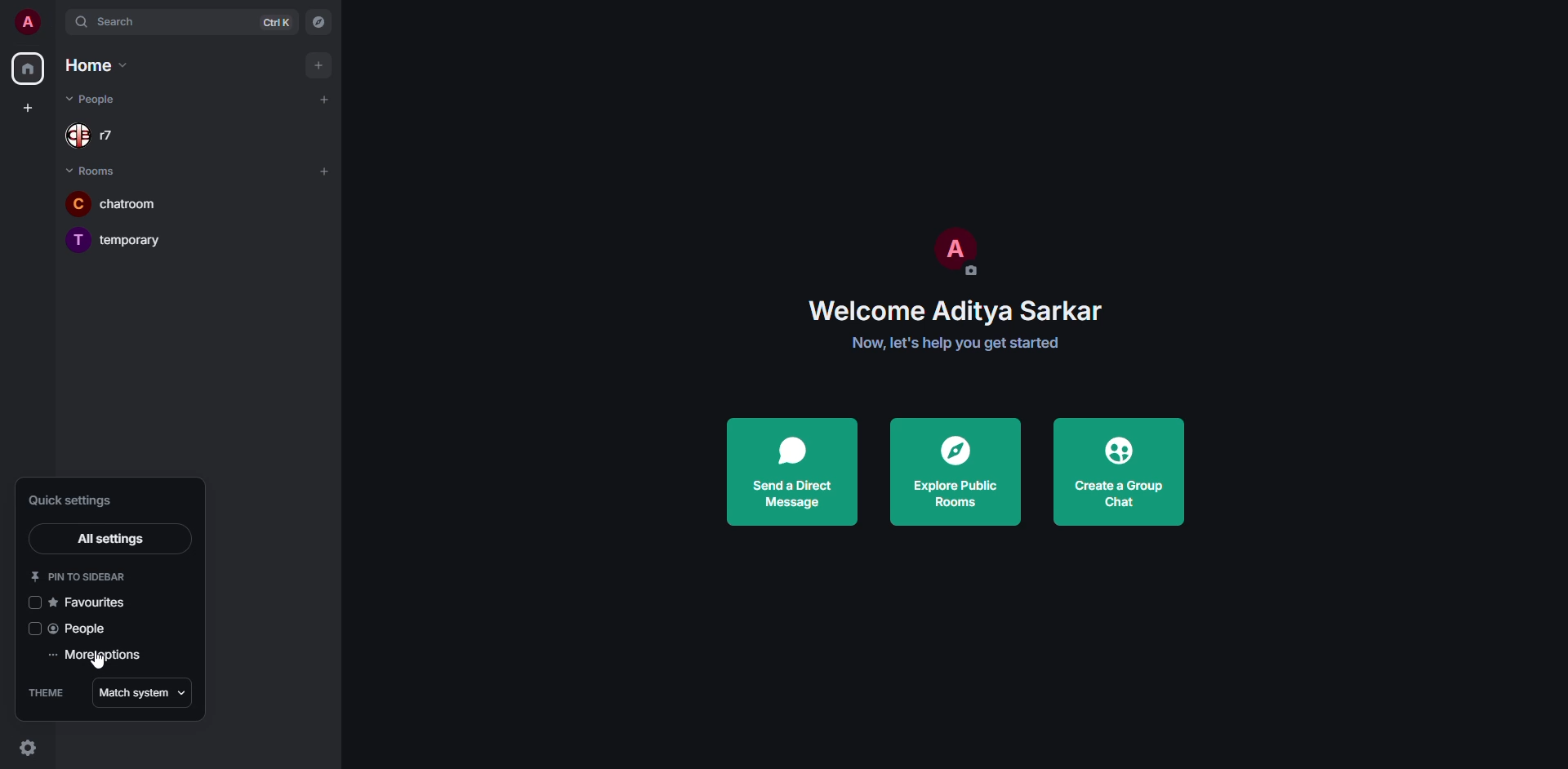  What do you see at coordinates (790, 472) in the screenshot?
I see `send direct message` at bounding box center [790, 472].